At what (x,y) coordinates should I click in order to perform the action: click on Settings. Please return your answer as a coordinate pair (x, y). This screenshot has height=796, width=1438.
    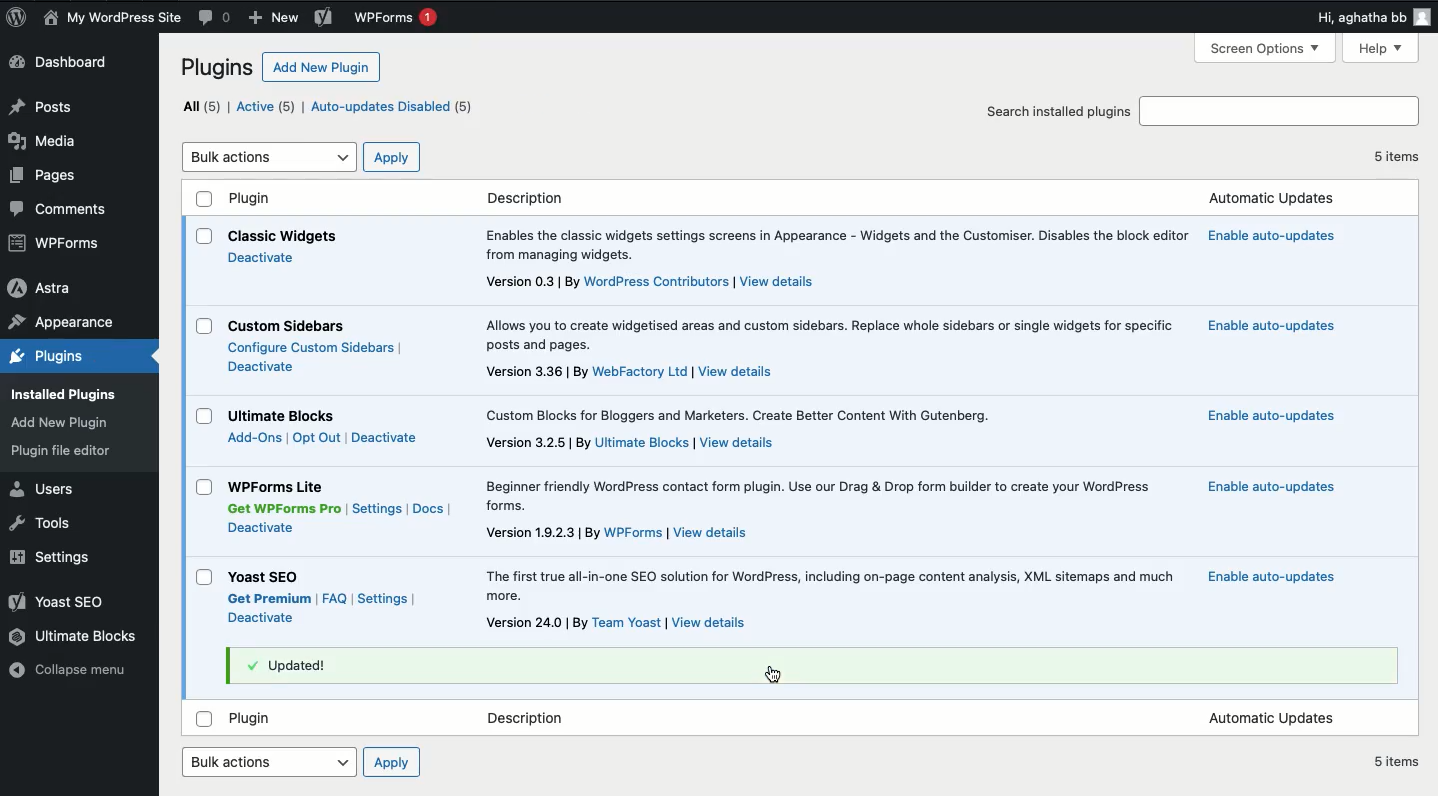
    Looking at the image, I should click on (382, 599).